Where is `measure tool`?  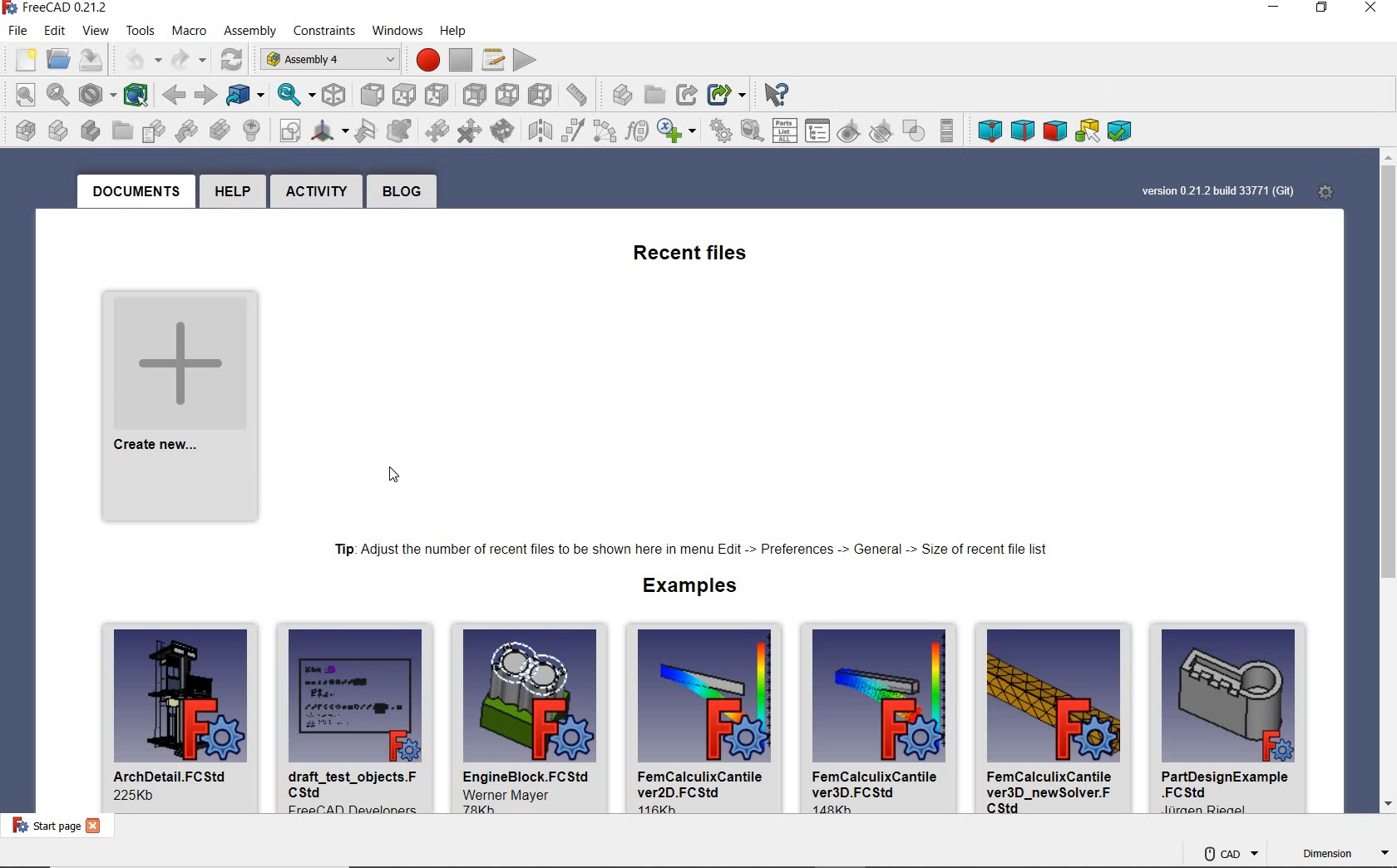
measure tool is located at coordinates (753, 131).